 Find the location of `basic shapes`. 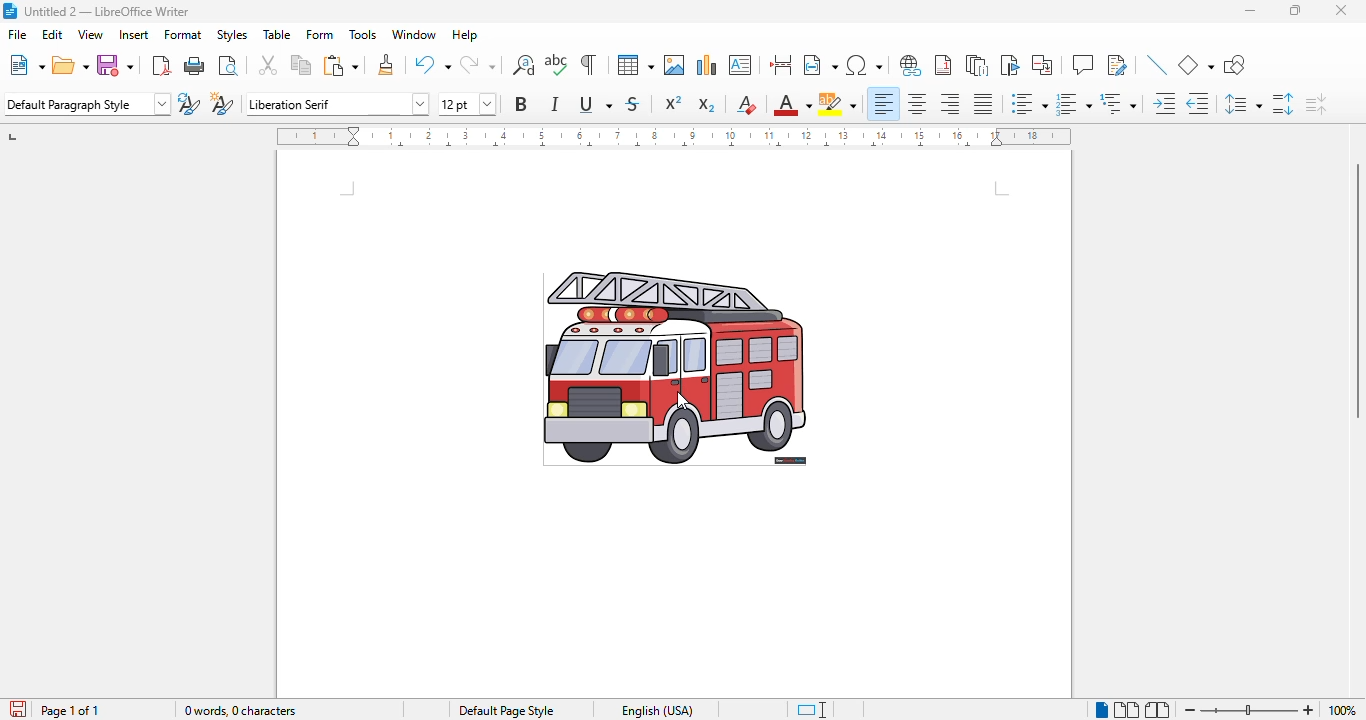

basic shapes is located at coordinates (1195, 65).